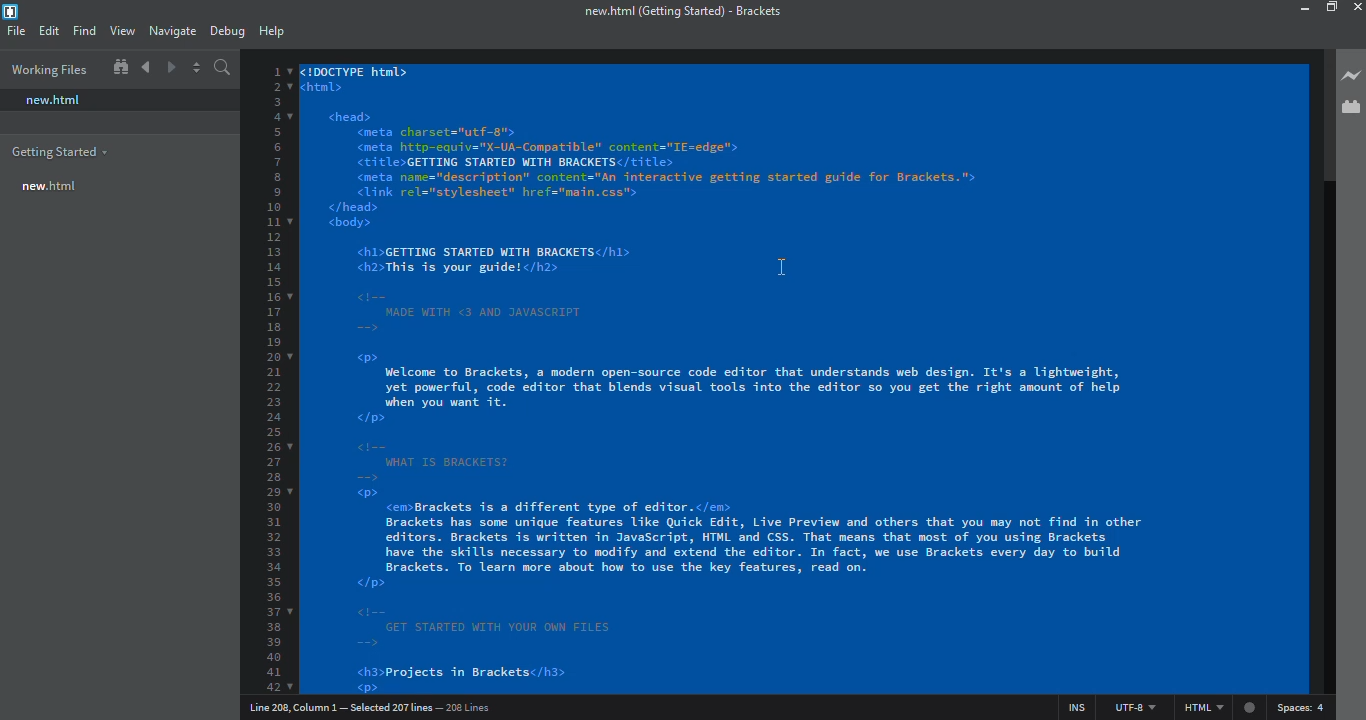 Image resolution: width=1366 pixels, height=720 pixels. Describe the element at coordinates (16, 32) in the screenshot. I see `file` at that location.